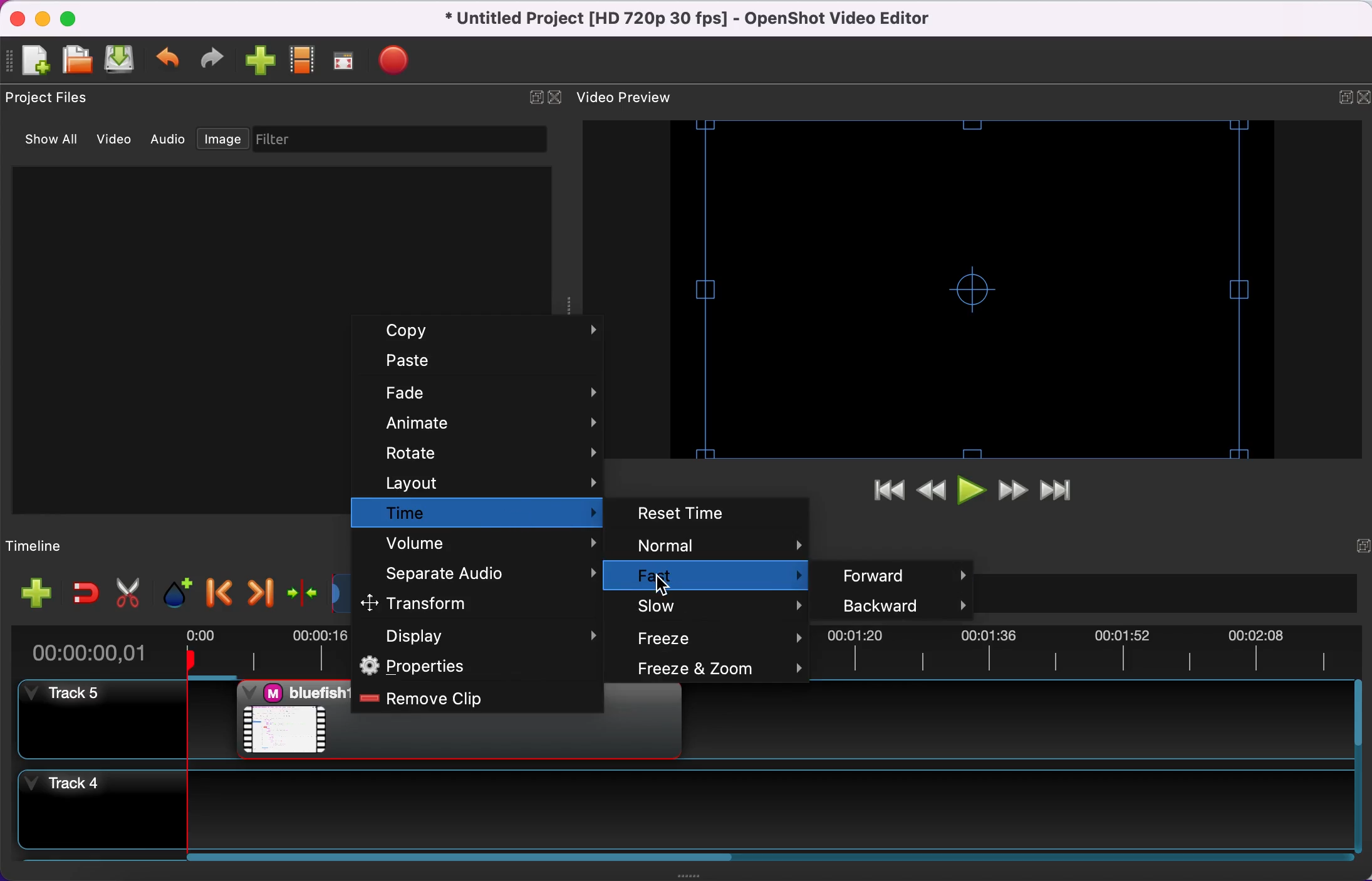 This screenshot has width=1372, height=881. Describe the element at coordinates (491, 332) in the screenshot. I see `copy` at that location.